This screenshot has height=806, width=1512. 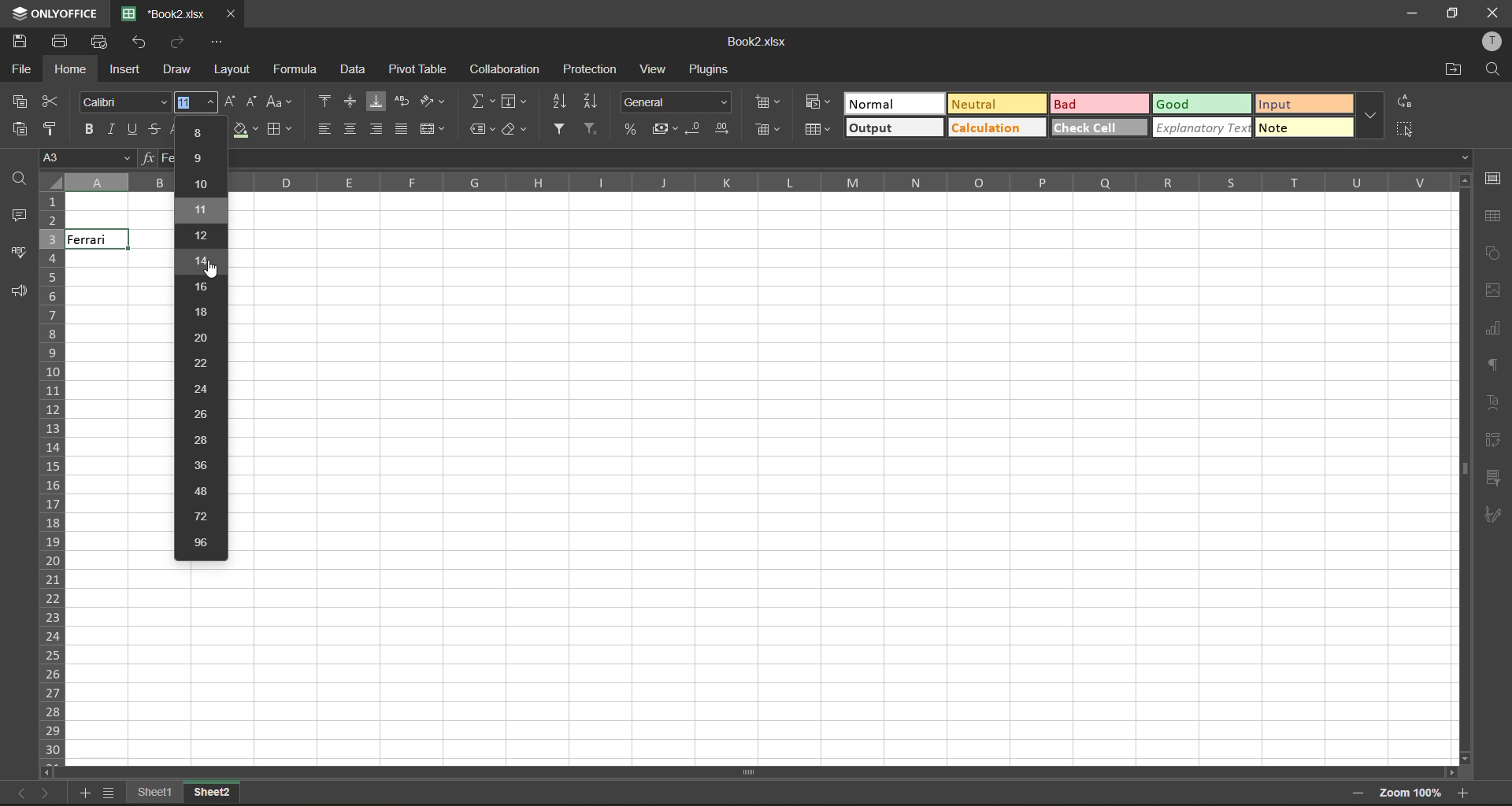 What do you see at coordinates (375, 131) in the screenshot?
I see `align right` at bounding box center [375, 131].